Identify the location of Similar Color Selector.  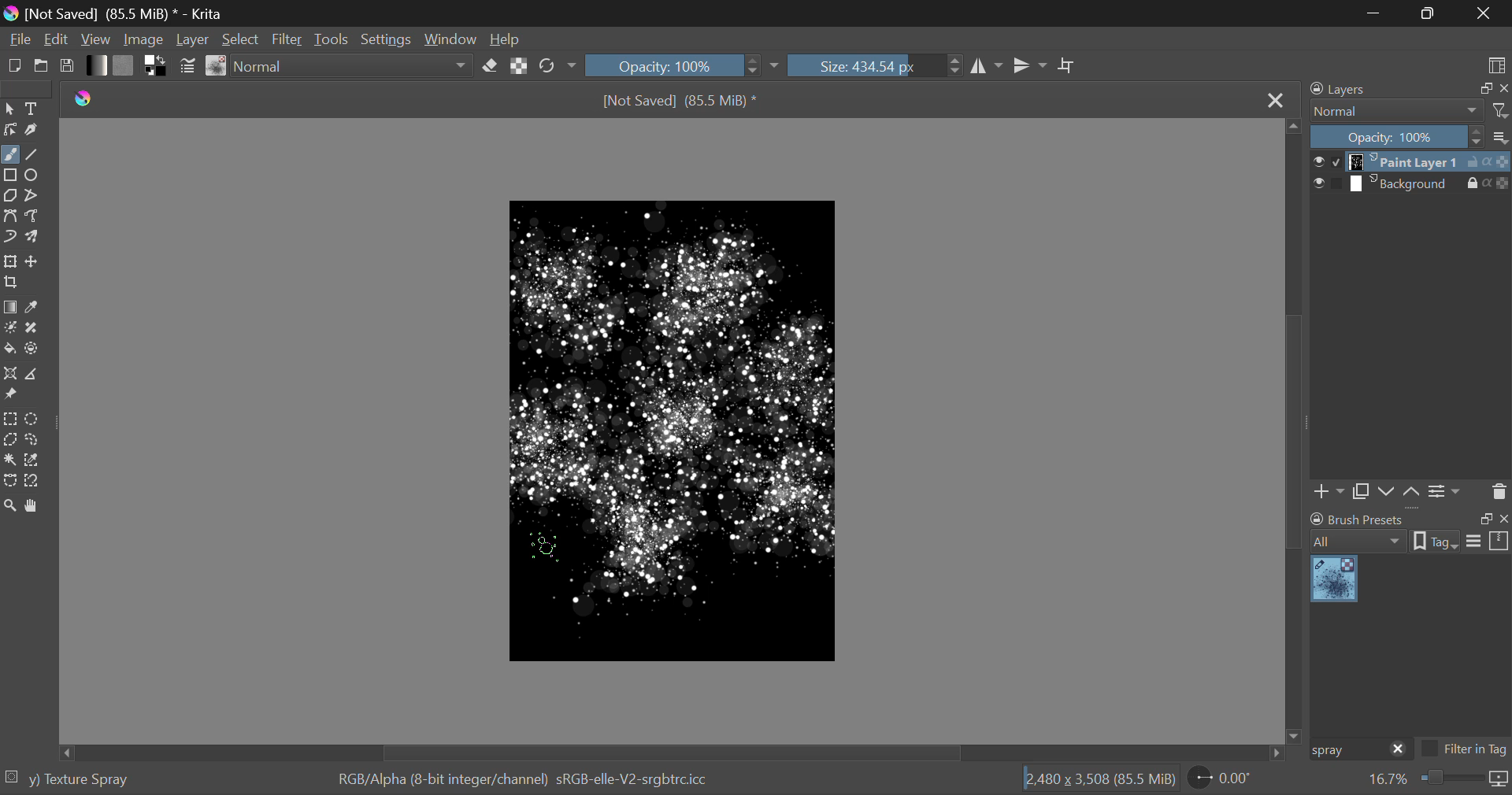
(35, 460).